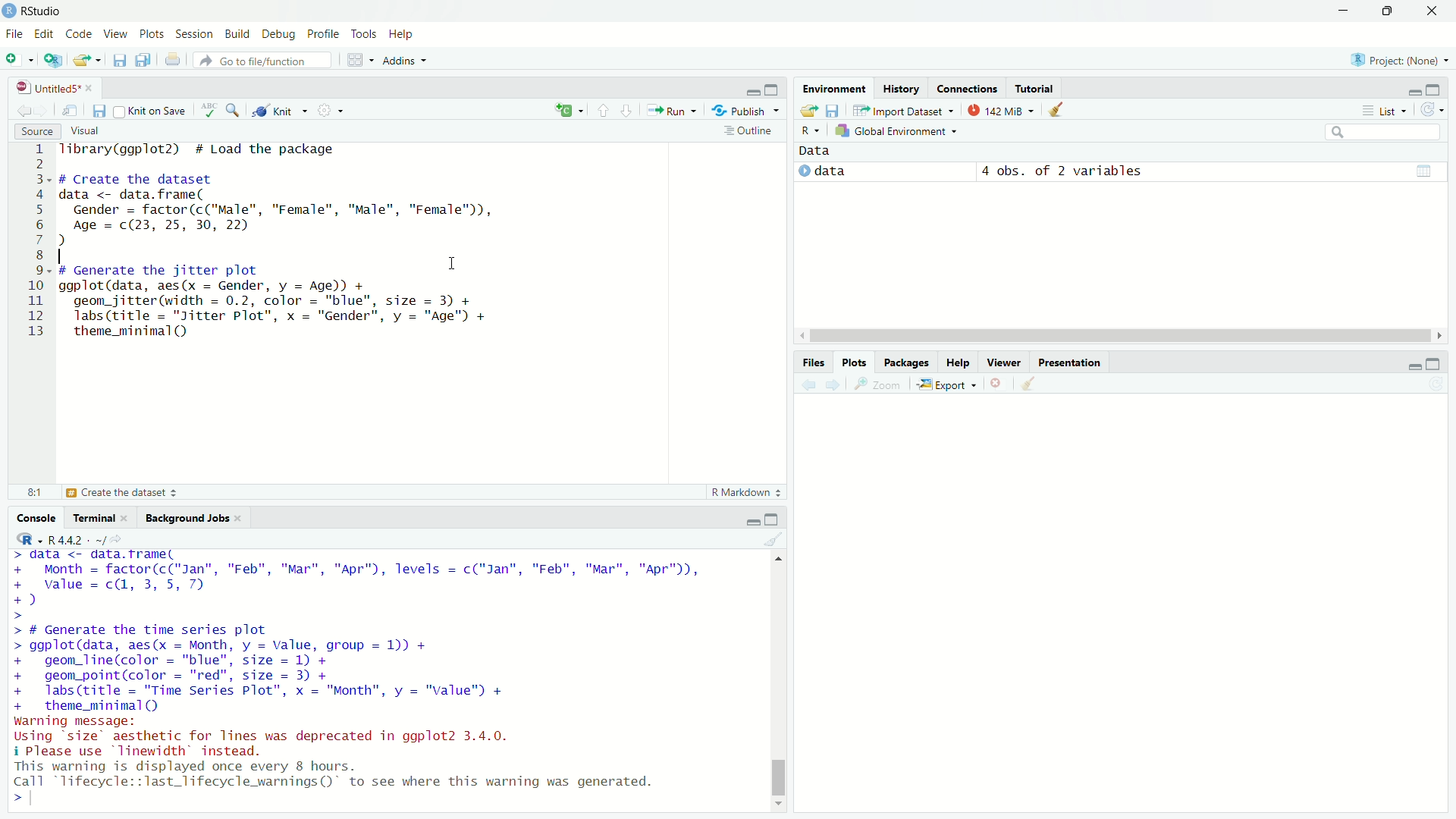  I want to click on show in new window, so click(71, 110).